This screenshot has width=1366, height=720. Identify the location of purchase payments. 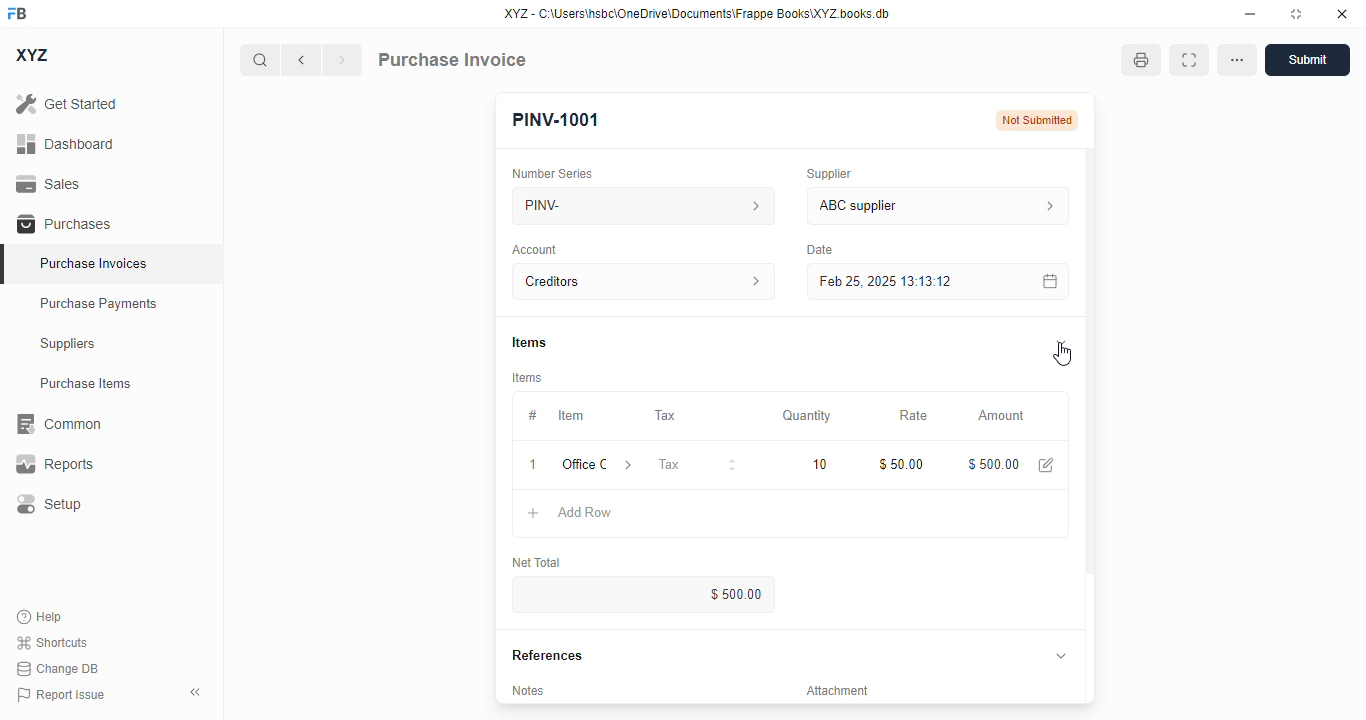
(99, 303).